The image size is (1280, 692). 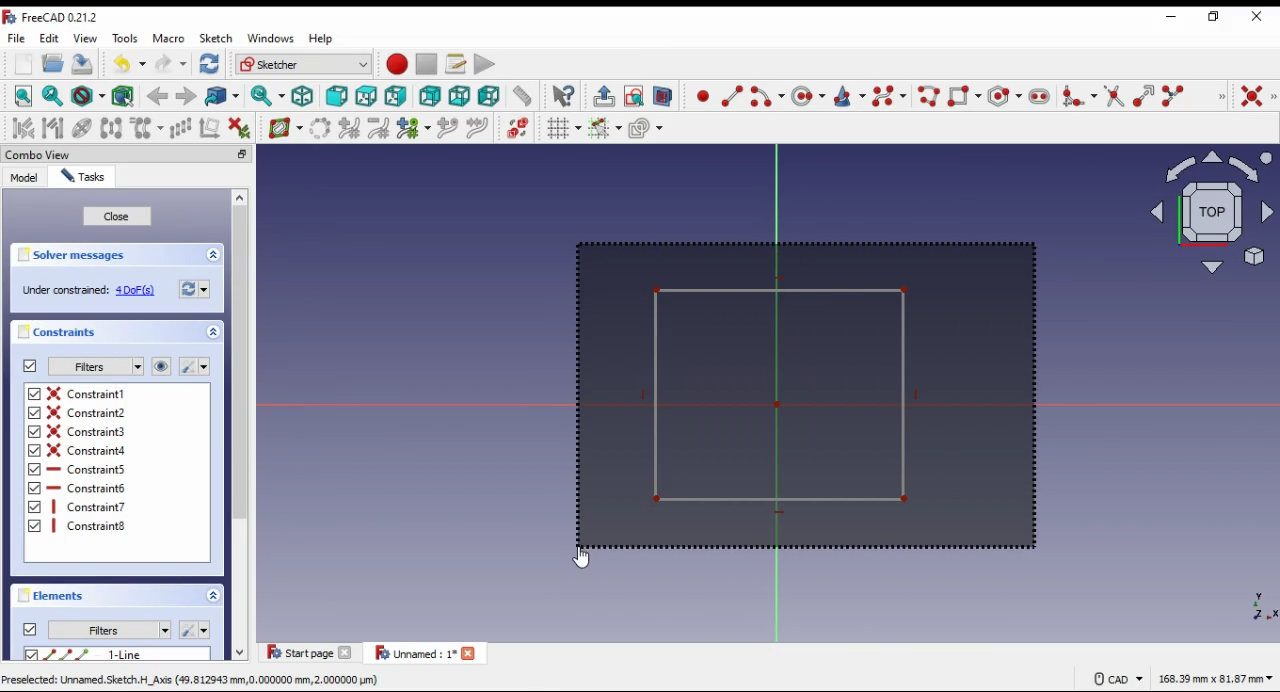 What do you see at coordinates (1258, 16) in the screenshot?
I see `close windp` at bounding box center [1258, 16].